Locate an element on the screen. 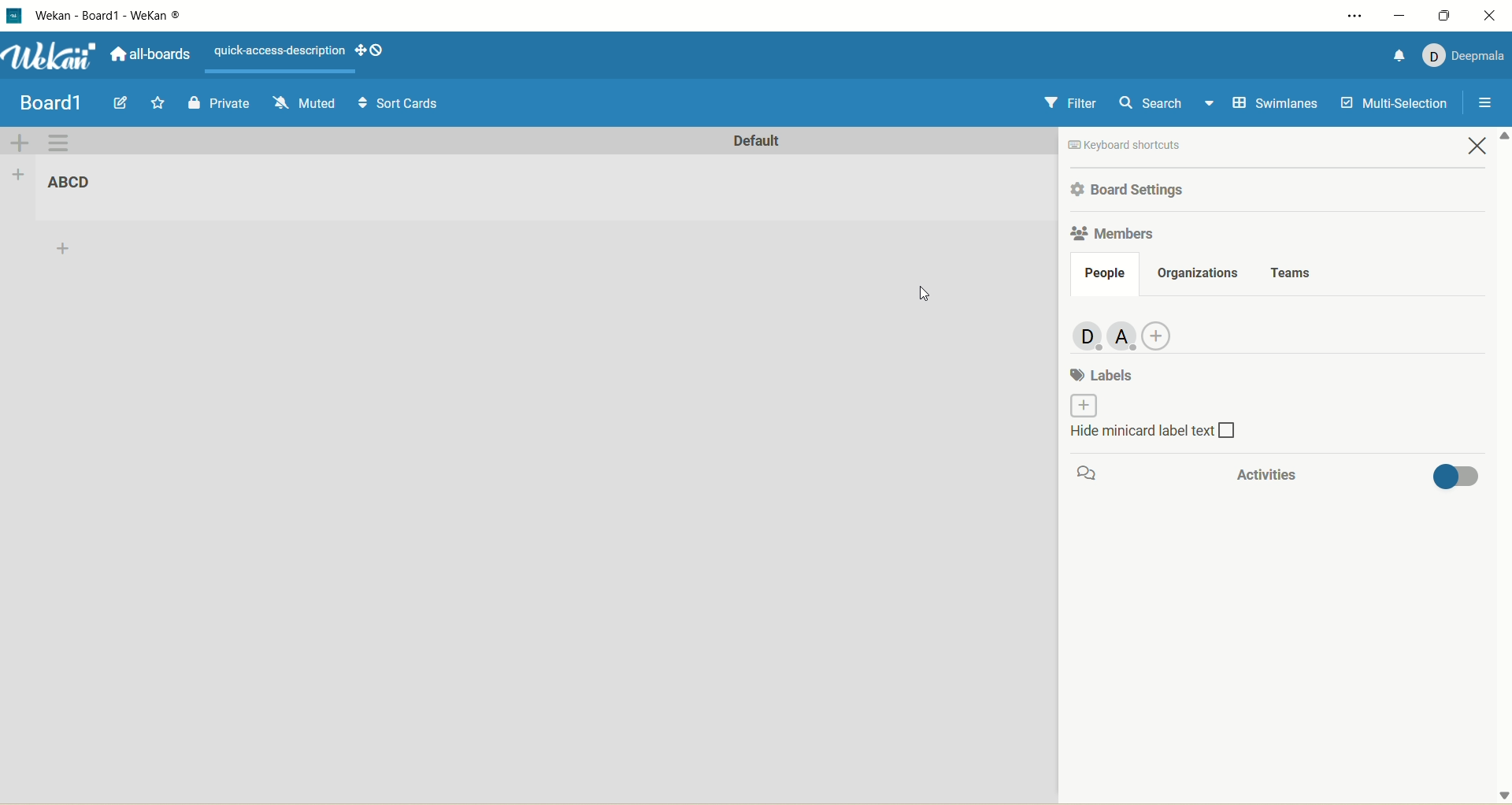  board settings is located at coordinates (1133, 189).